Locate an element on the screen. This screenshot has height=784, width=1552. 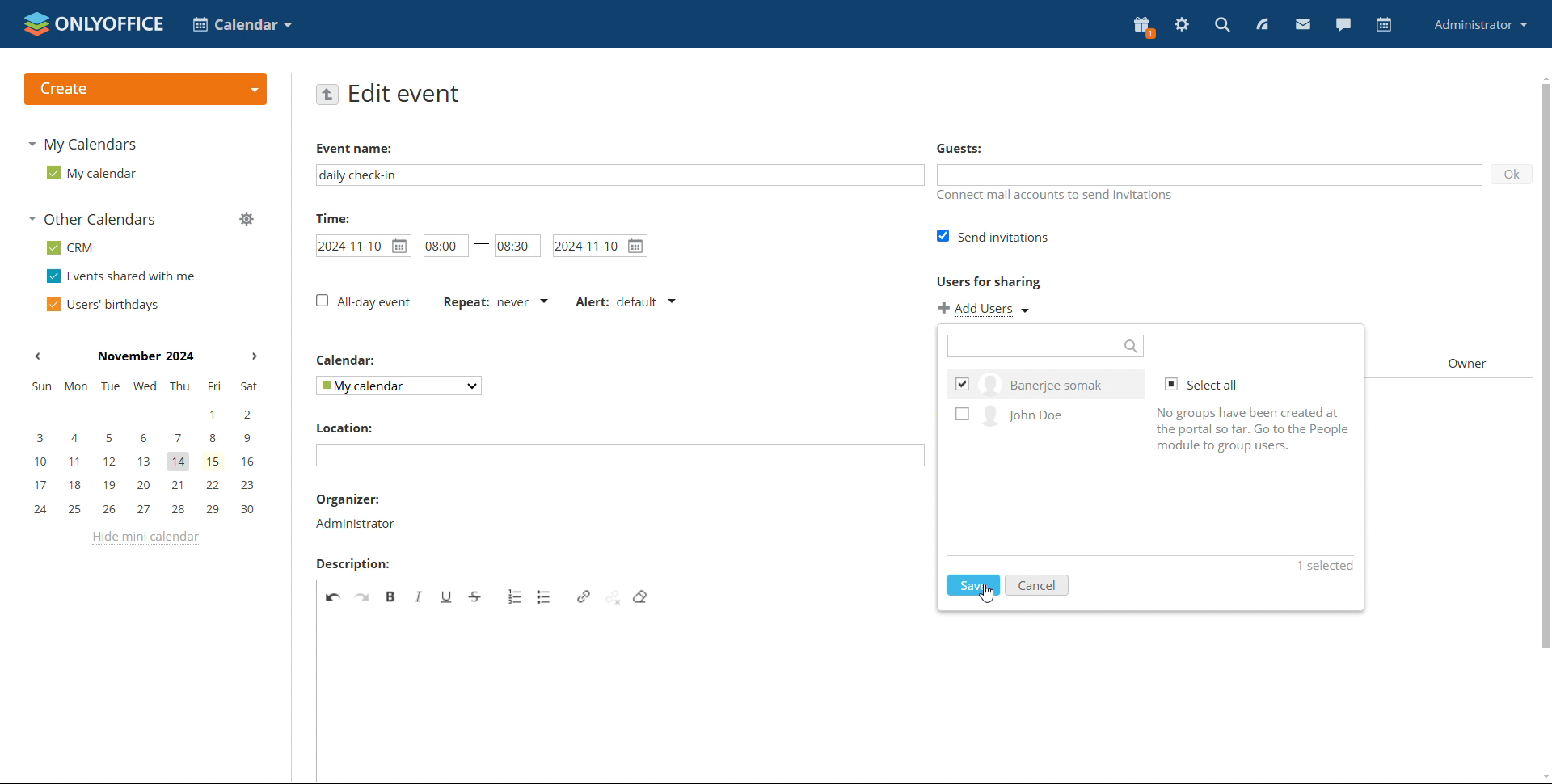
go back is located at coordinates (327, 93).